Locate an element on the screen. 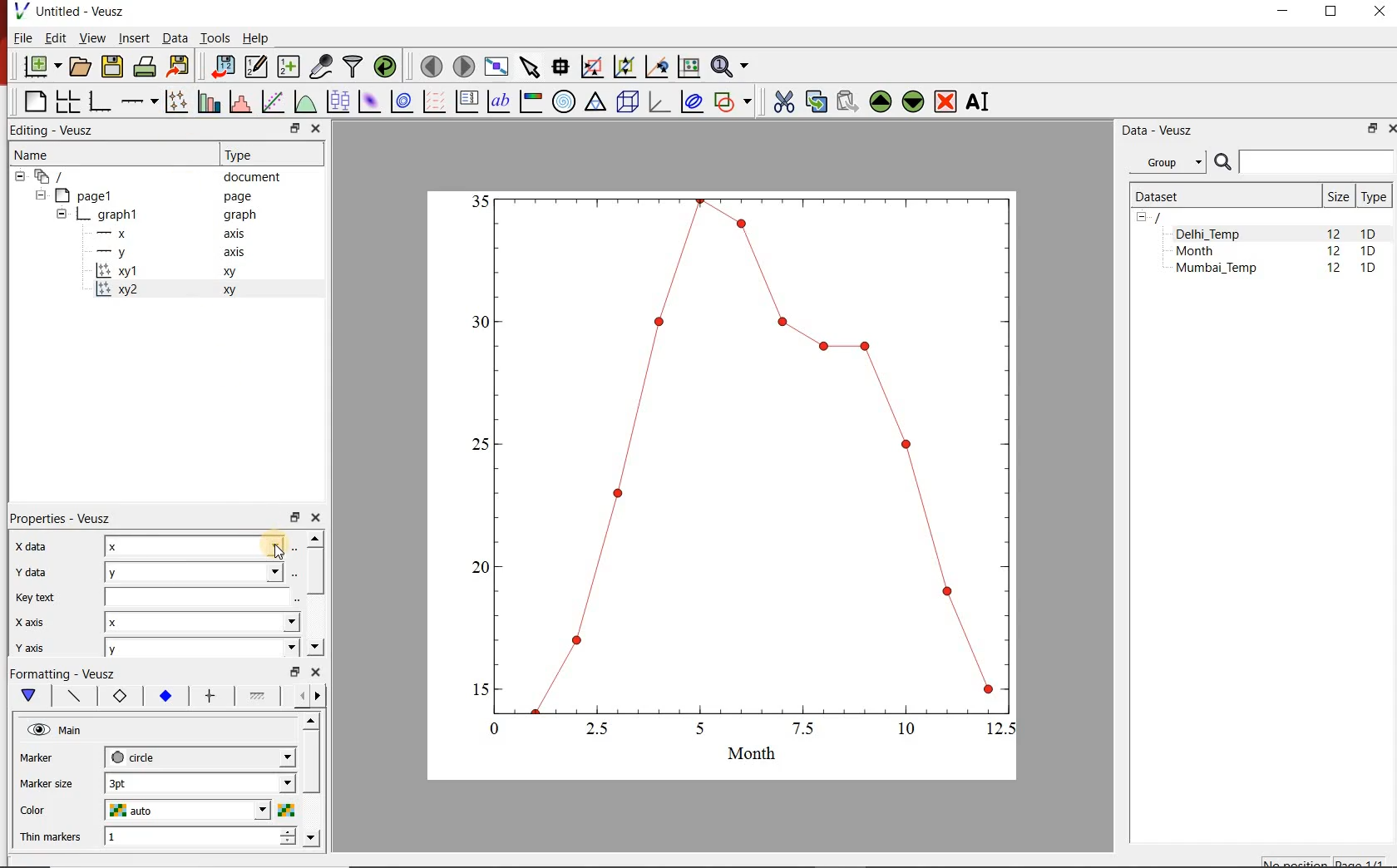  x-data is located at coordinates (35, 546).